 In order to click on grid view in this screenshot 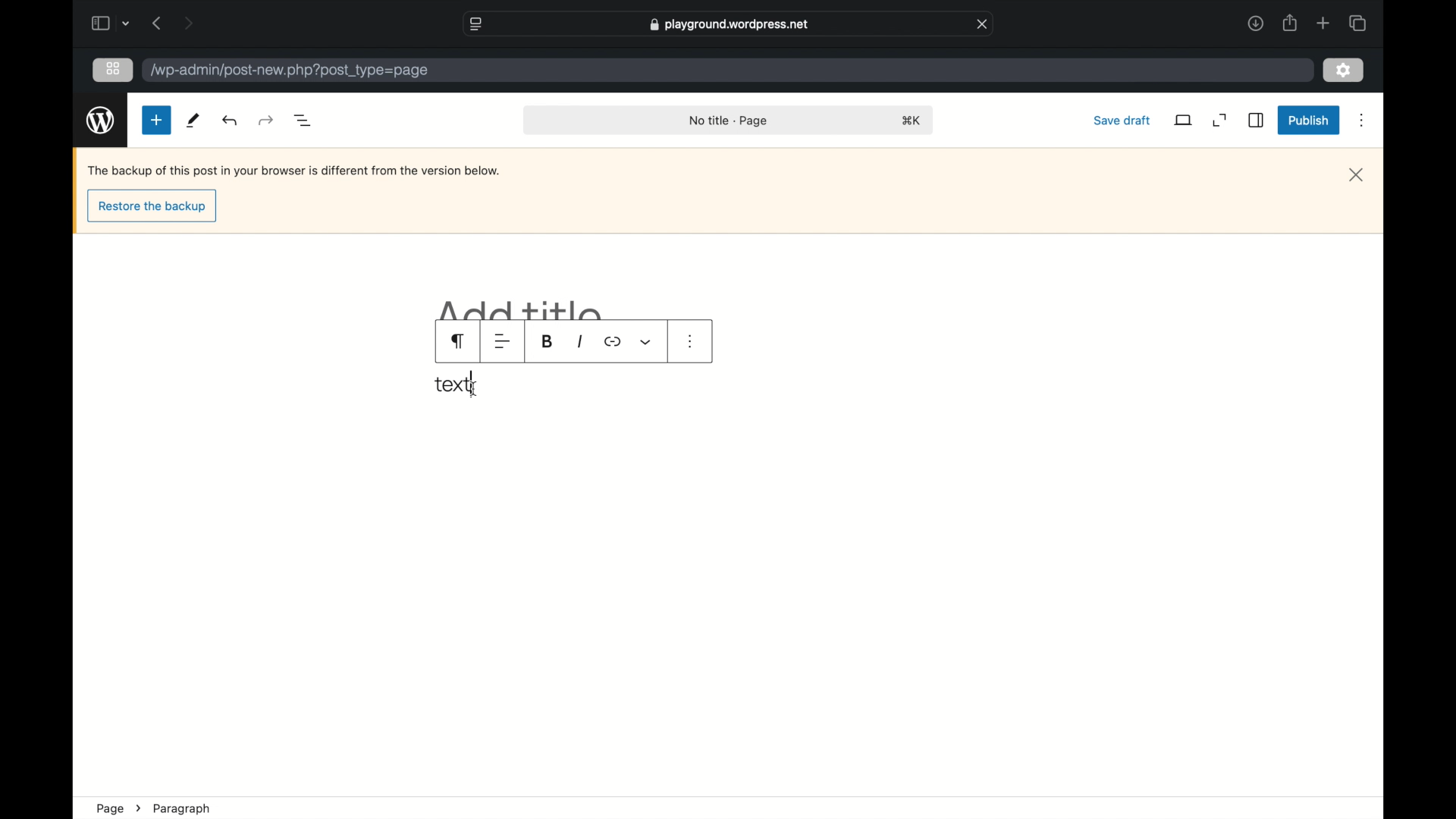, I will do `click(113, 69)`.